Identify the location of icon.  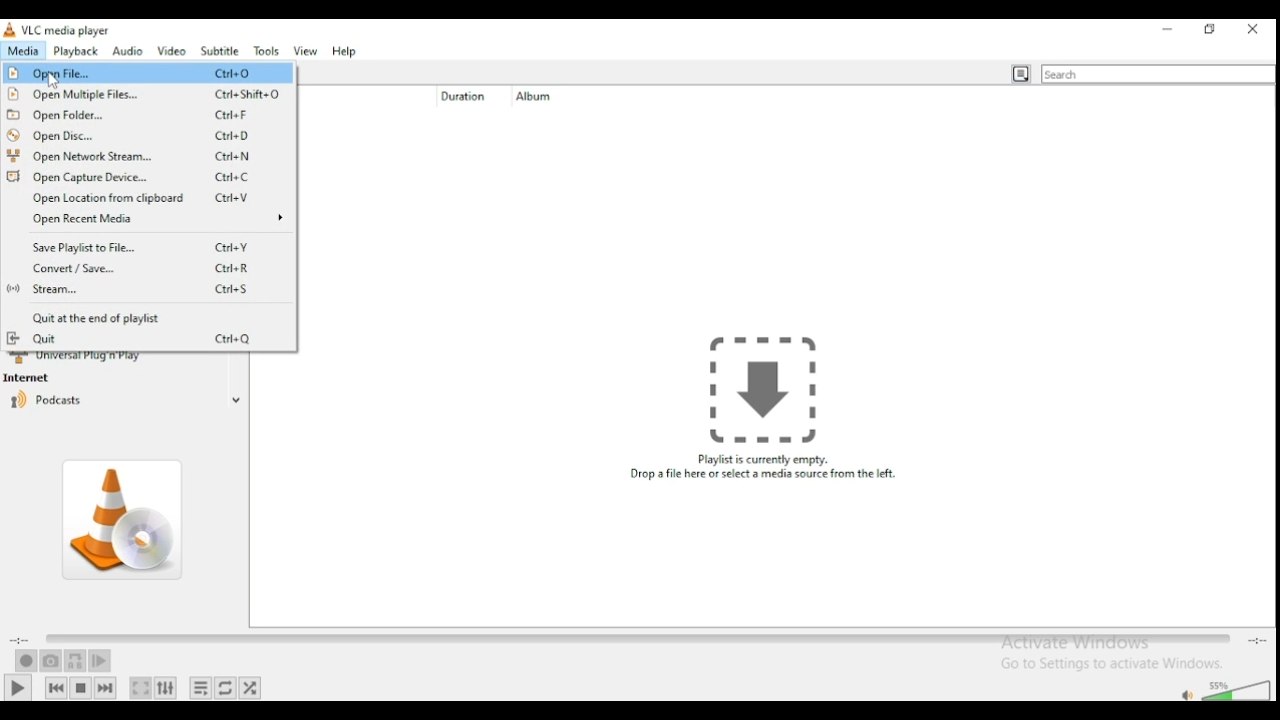
(10, 30).